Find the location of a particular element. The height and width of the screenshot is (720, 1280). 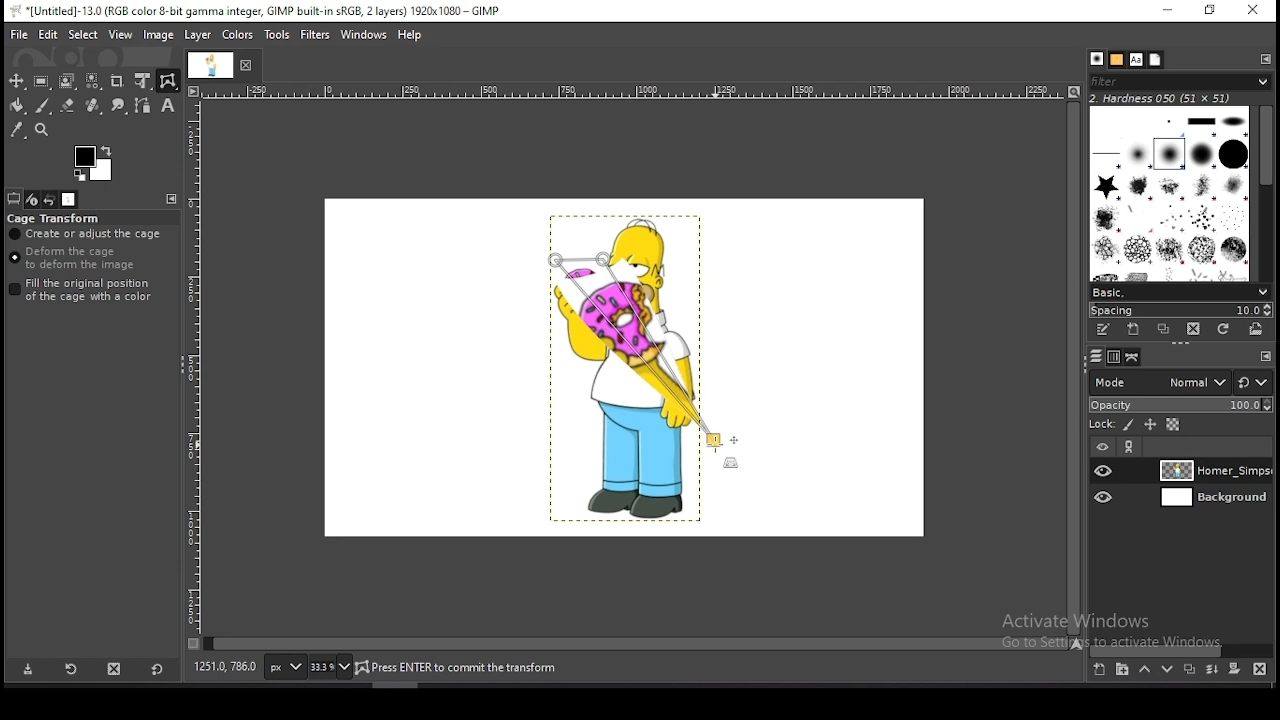

paintbrush tool is located at coordinates (42, 106).